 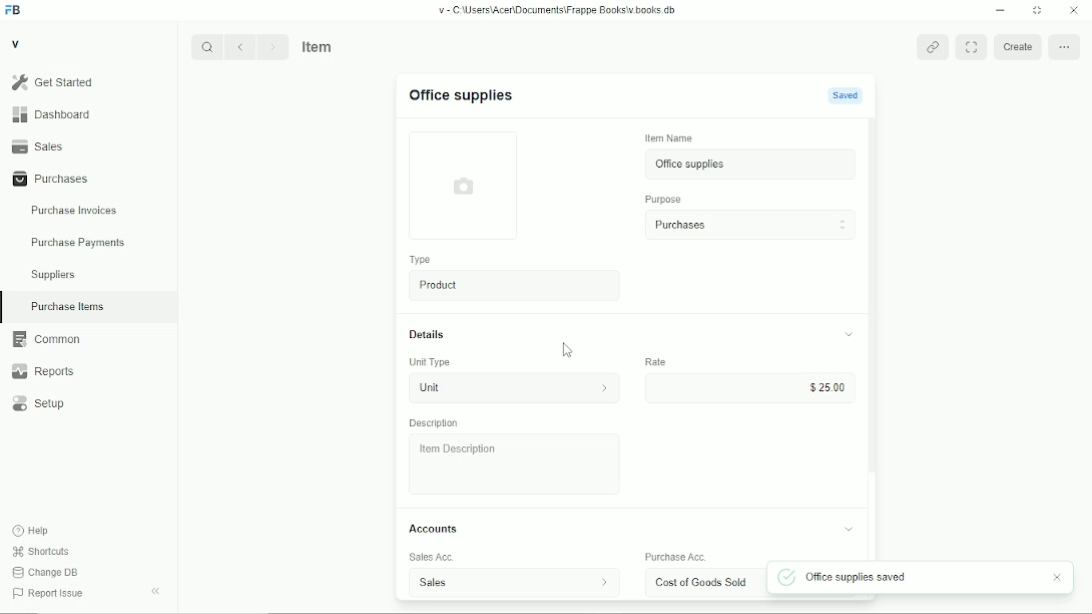 I want to click on get started, so click(x=53, y=82).